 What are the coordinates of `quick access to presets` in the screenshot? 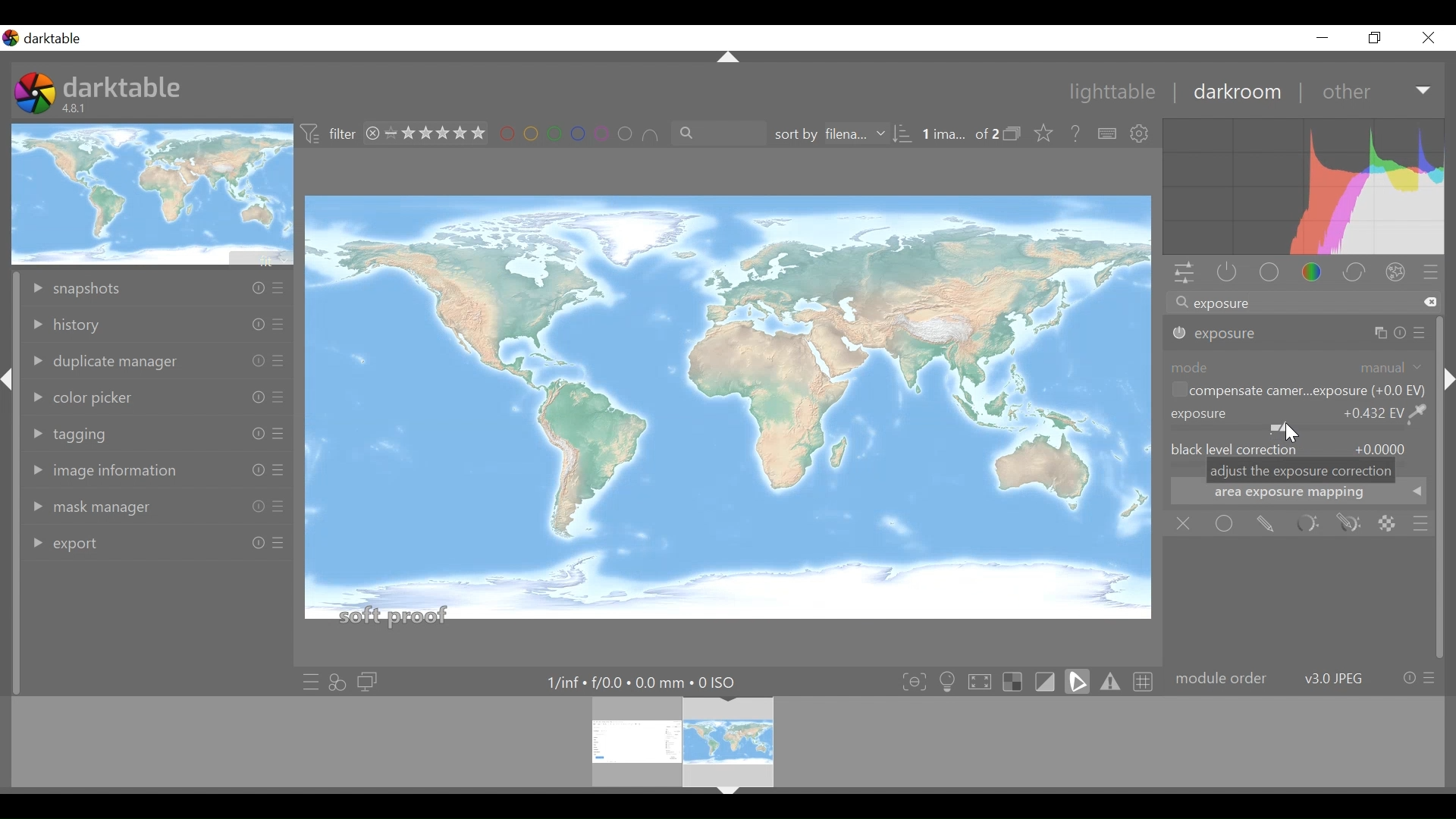 It's located at (310, 682).